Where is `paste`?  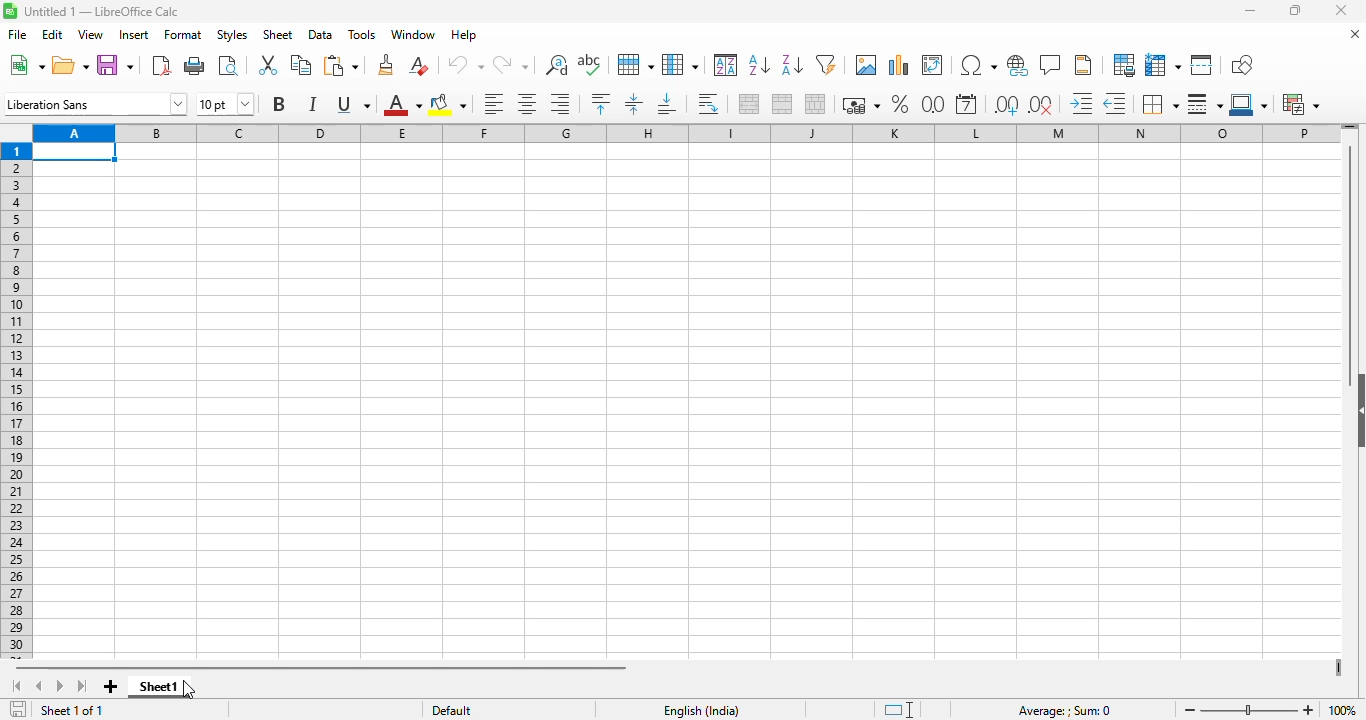
paste is located at coordinates (342, 65).